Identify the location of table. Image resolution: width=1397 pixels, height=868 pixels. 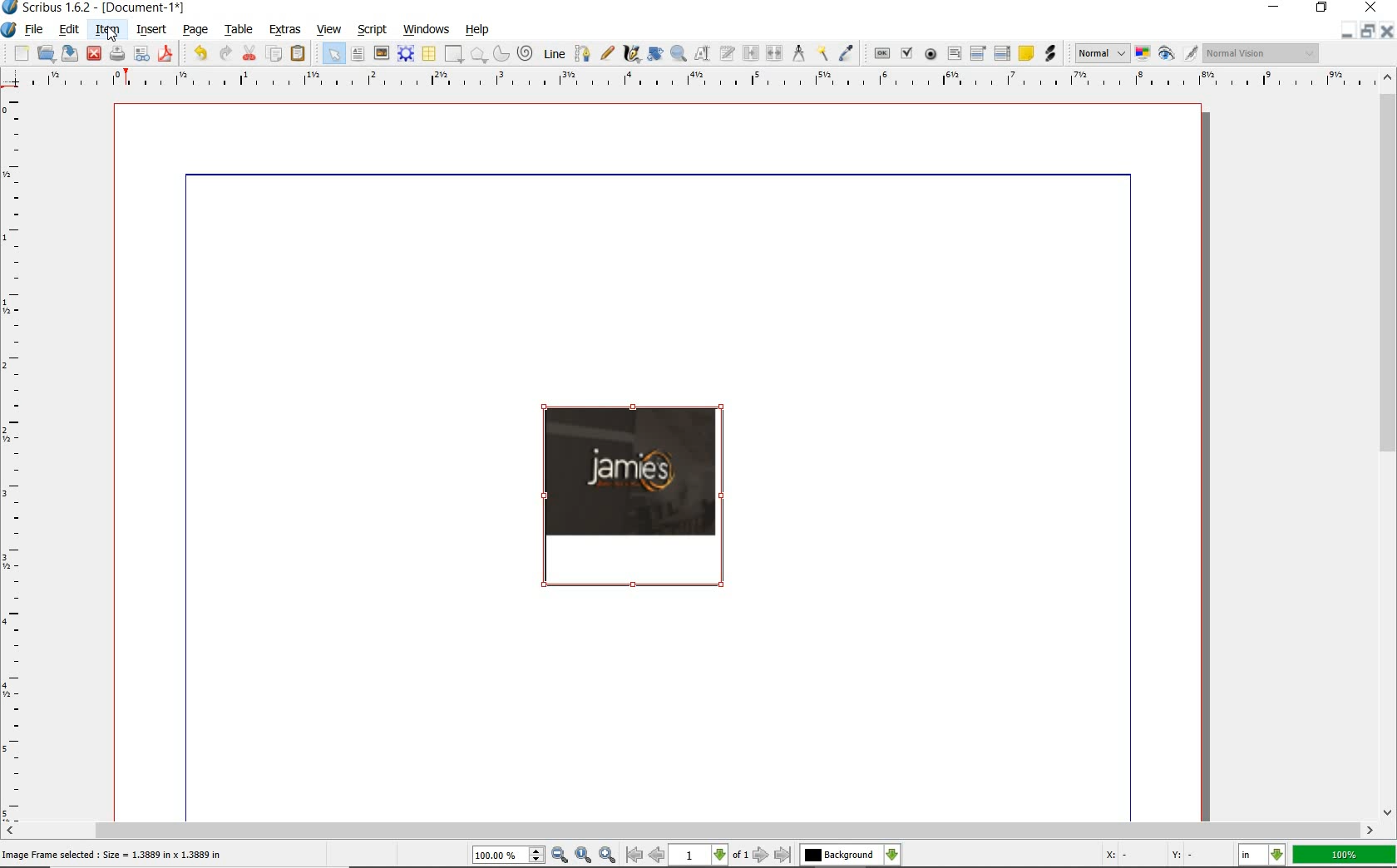
(240, 31).